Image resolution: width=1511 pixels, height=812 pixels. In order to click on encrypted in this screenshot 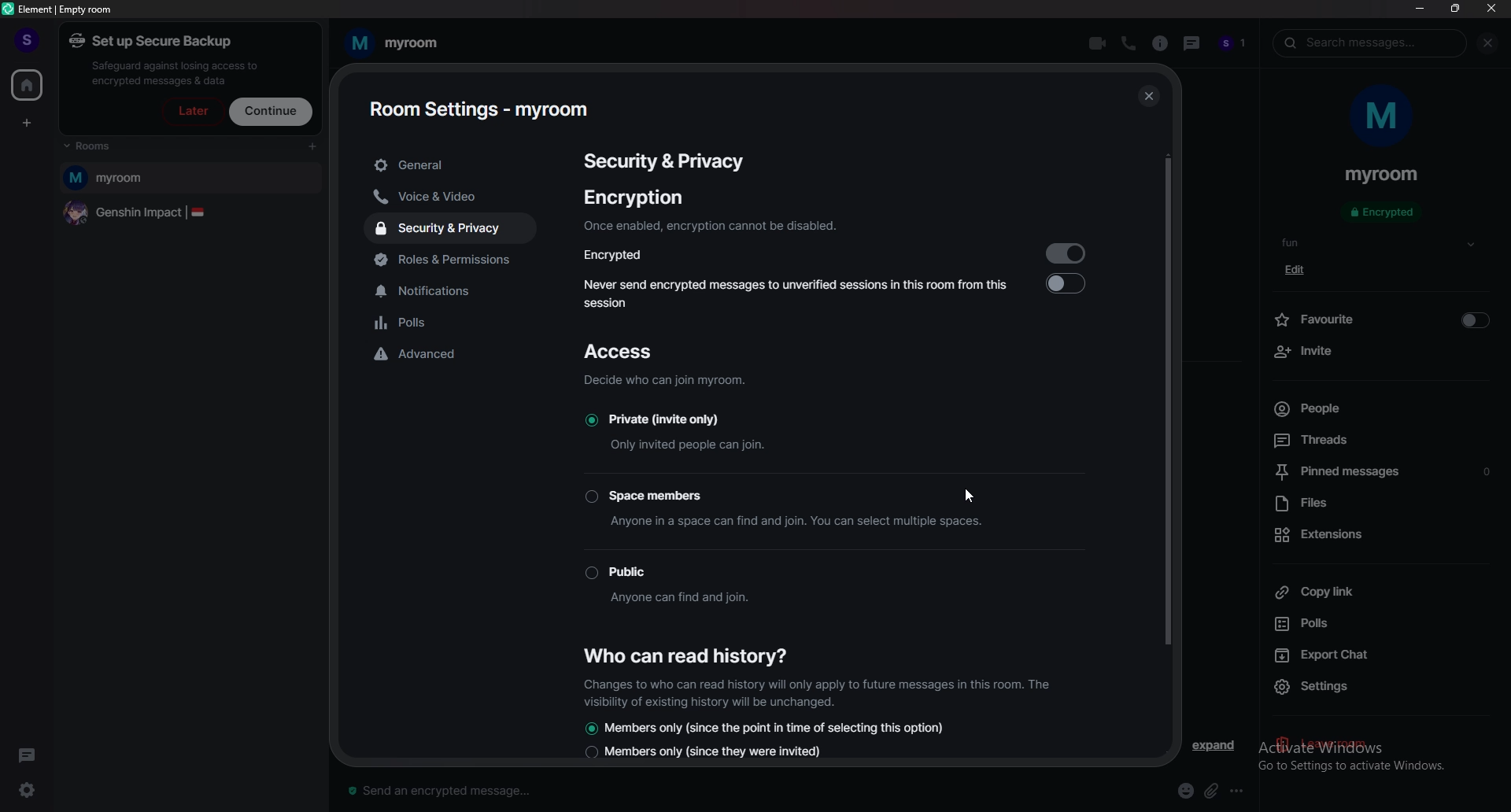, I will do `click(1070, 251)`.